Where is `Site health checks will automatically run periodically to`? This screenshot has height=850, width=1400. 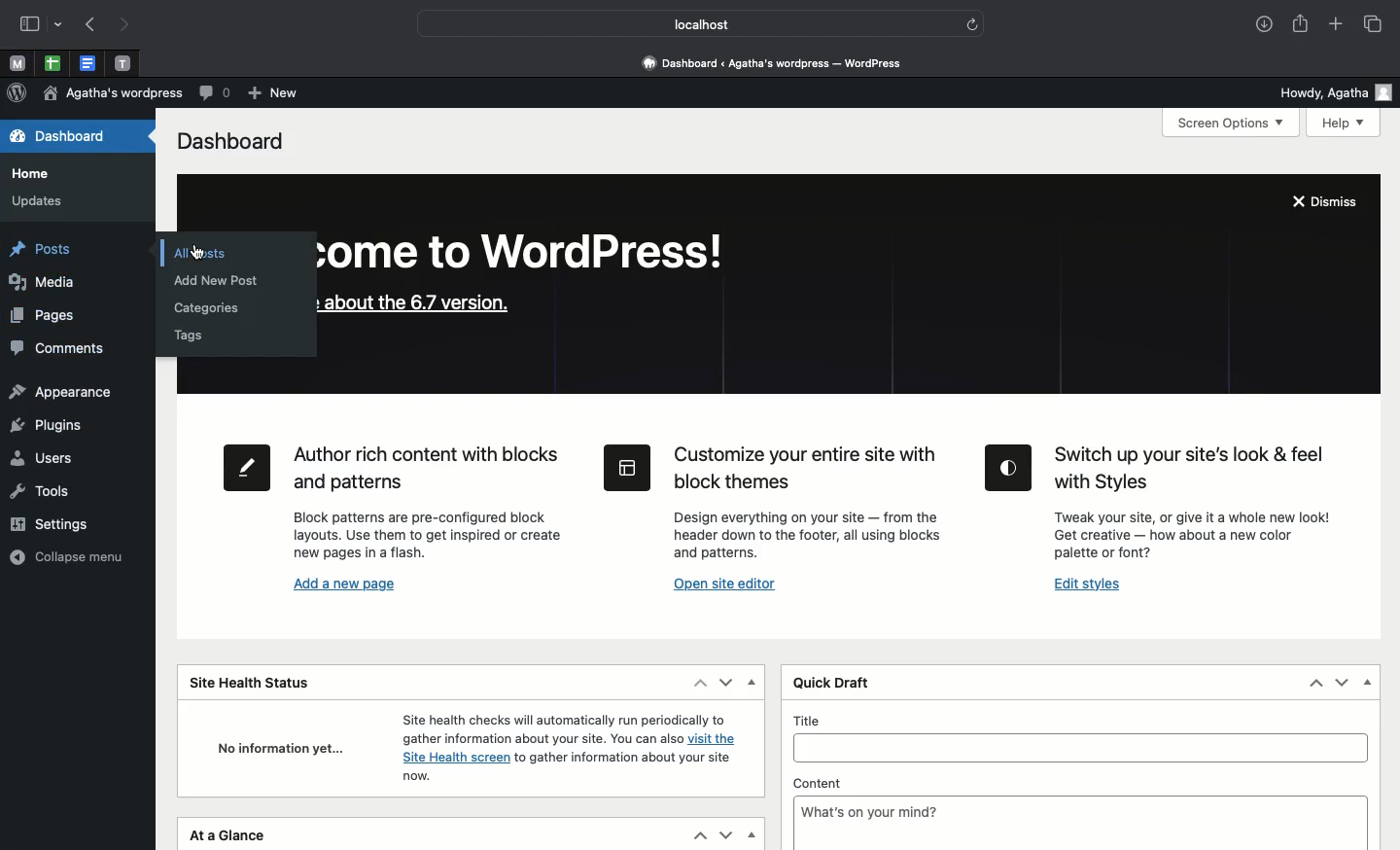
Site health checks will automatically run periodically to is located at coordinates (561, 719).